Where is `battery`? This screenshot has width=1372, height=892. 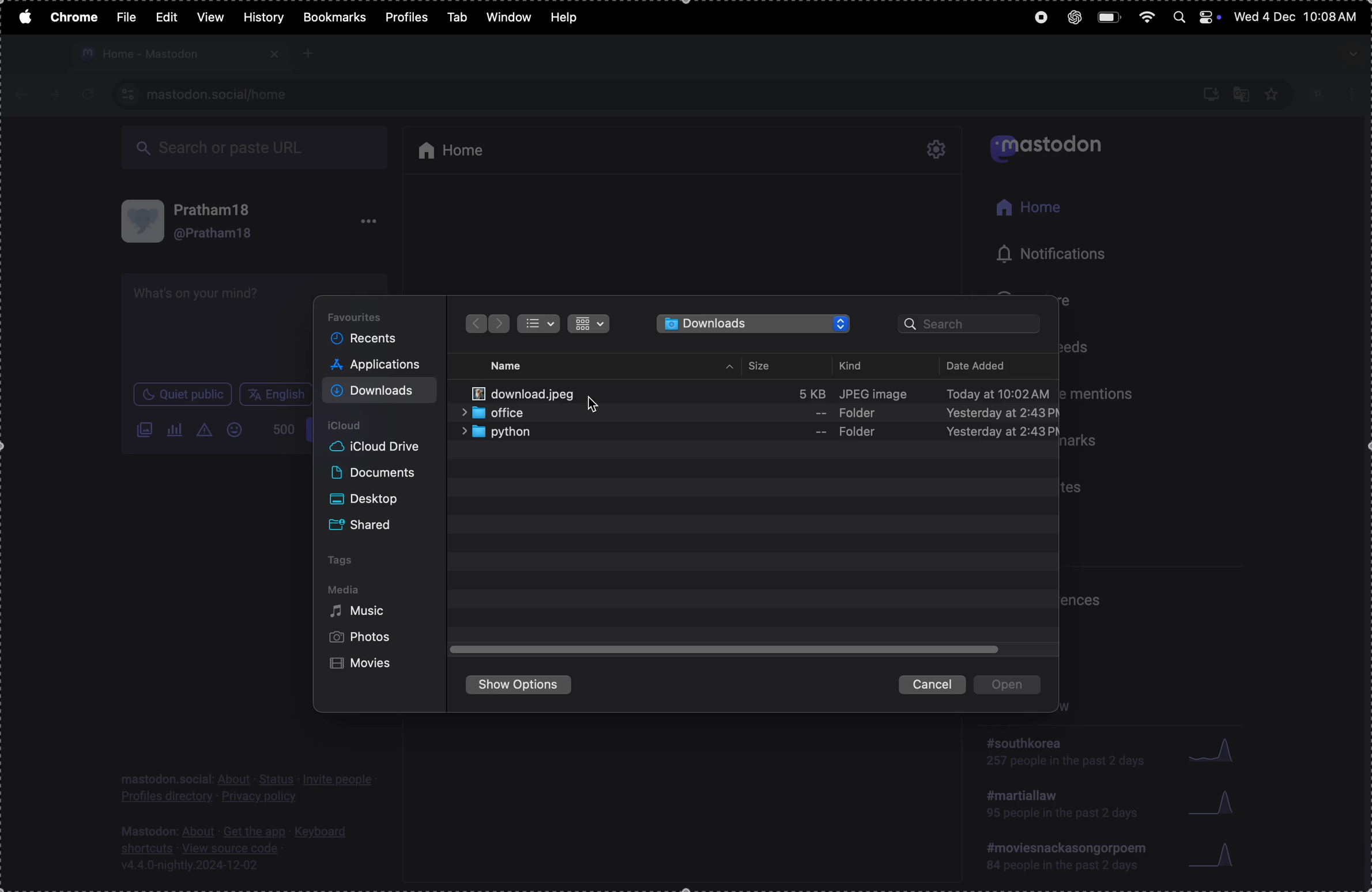
battery is located at coordinates (1109, 17).